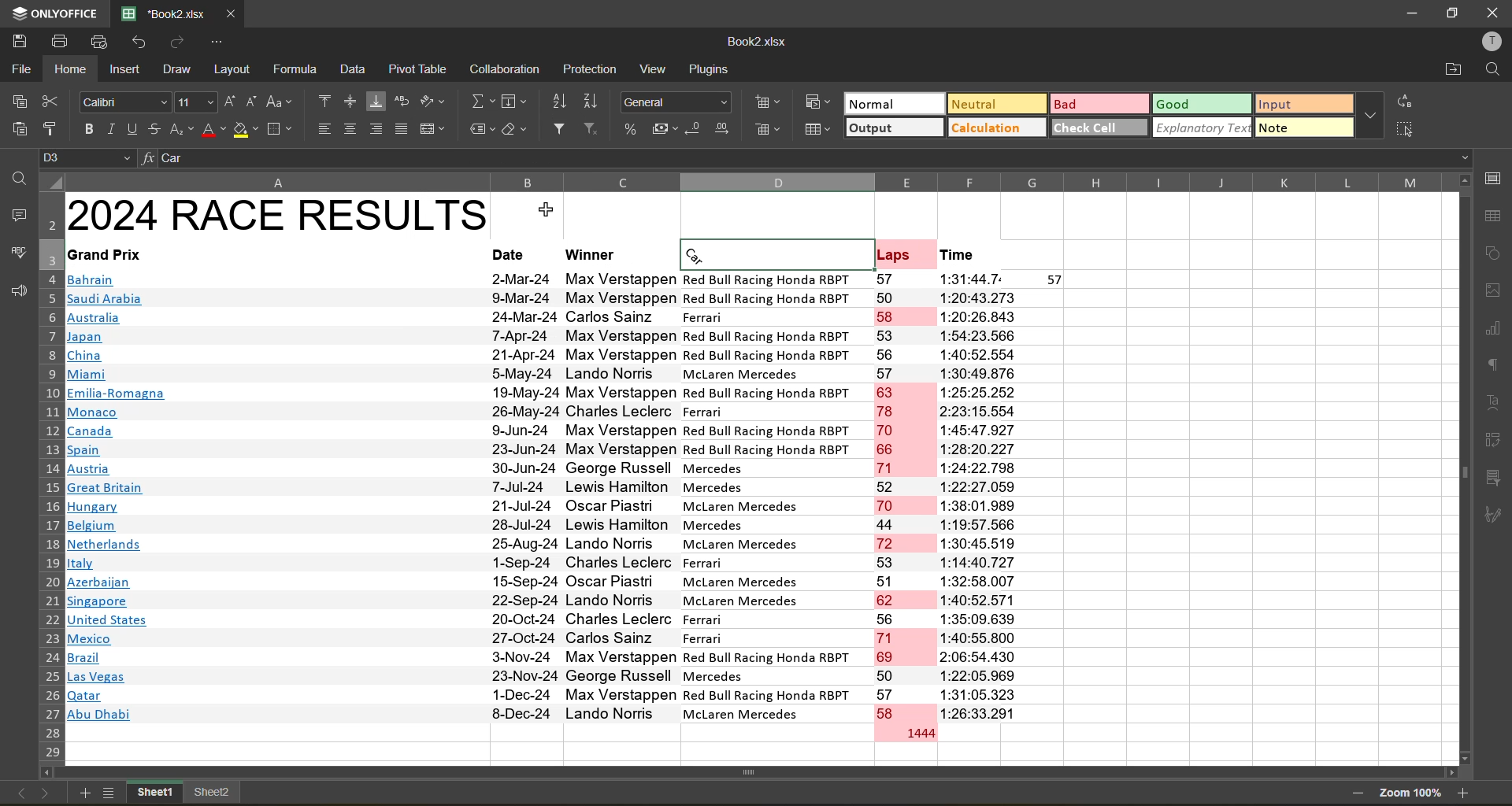 This screenshot has width=1512, height=806. I want to click on Scroll up, so click(1462, 179).